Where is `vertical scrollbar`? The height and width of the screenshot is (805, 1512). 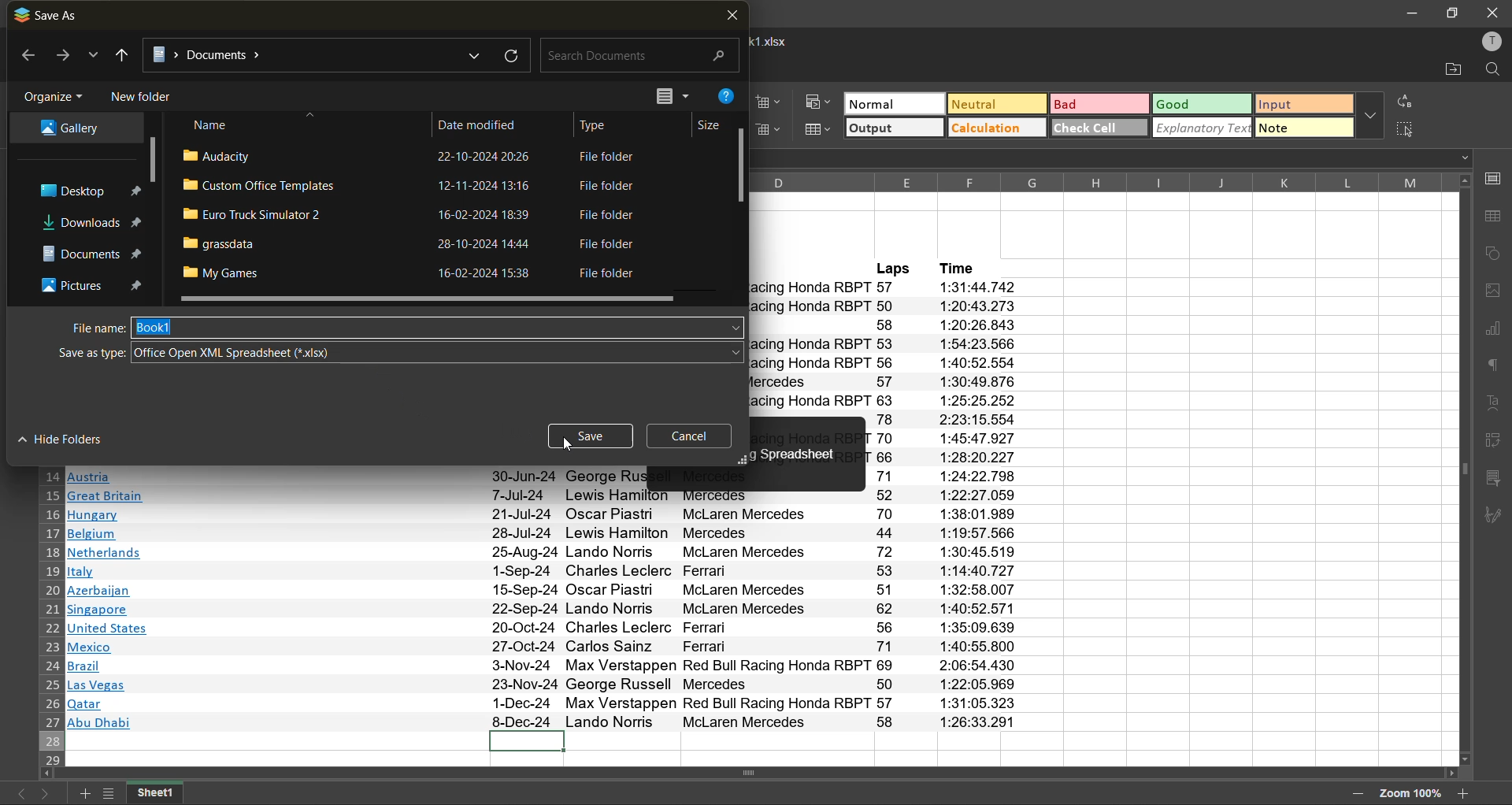 vertical scrollbar is located at coordinates (1463, 466).